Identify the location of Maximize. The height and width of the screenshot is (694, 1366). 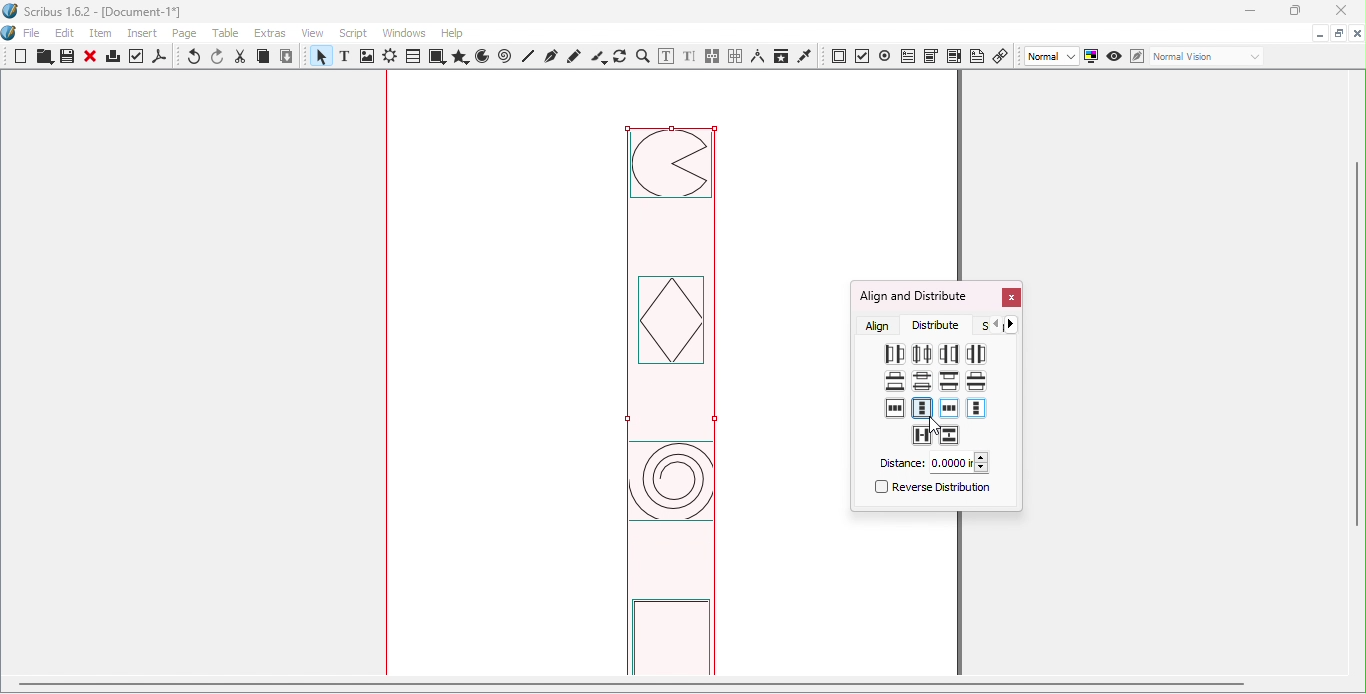
(1338, 32).